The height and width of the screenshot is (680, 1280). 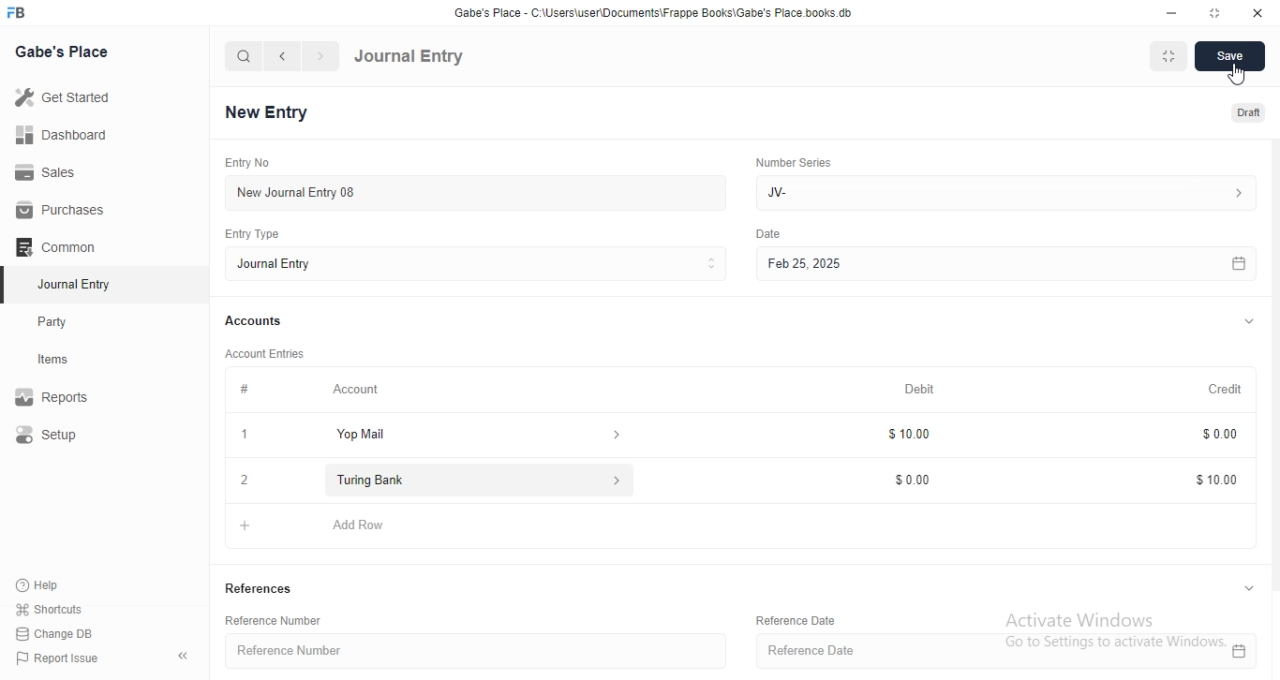 I want to click on cursor, so click(x=1232, y=77).